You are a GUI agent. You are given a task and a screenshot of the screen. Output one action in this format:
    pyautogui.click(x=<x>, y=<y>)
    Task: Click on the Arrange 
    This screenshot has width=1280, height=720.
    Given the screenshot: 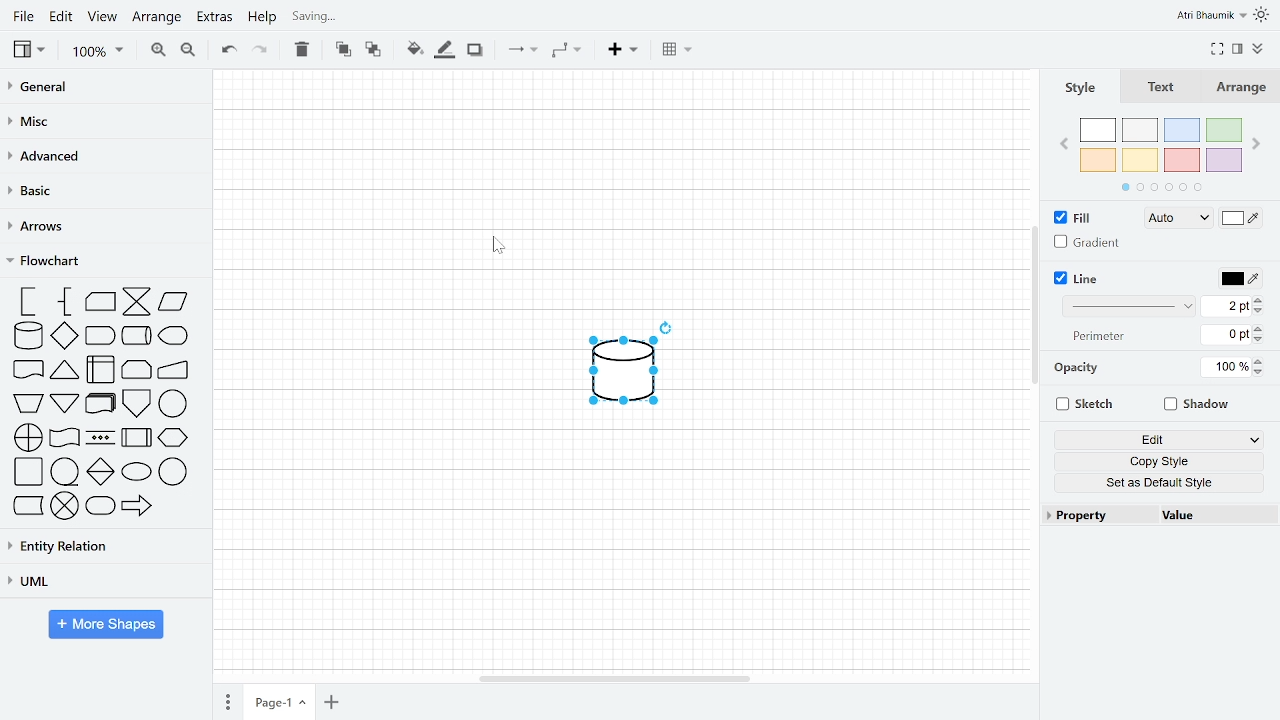 What is the action you would take?
    pyautogui.click(x=1242, y=87)
    